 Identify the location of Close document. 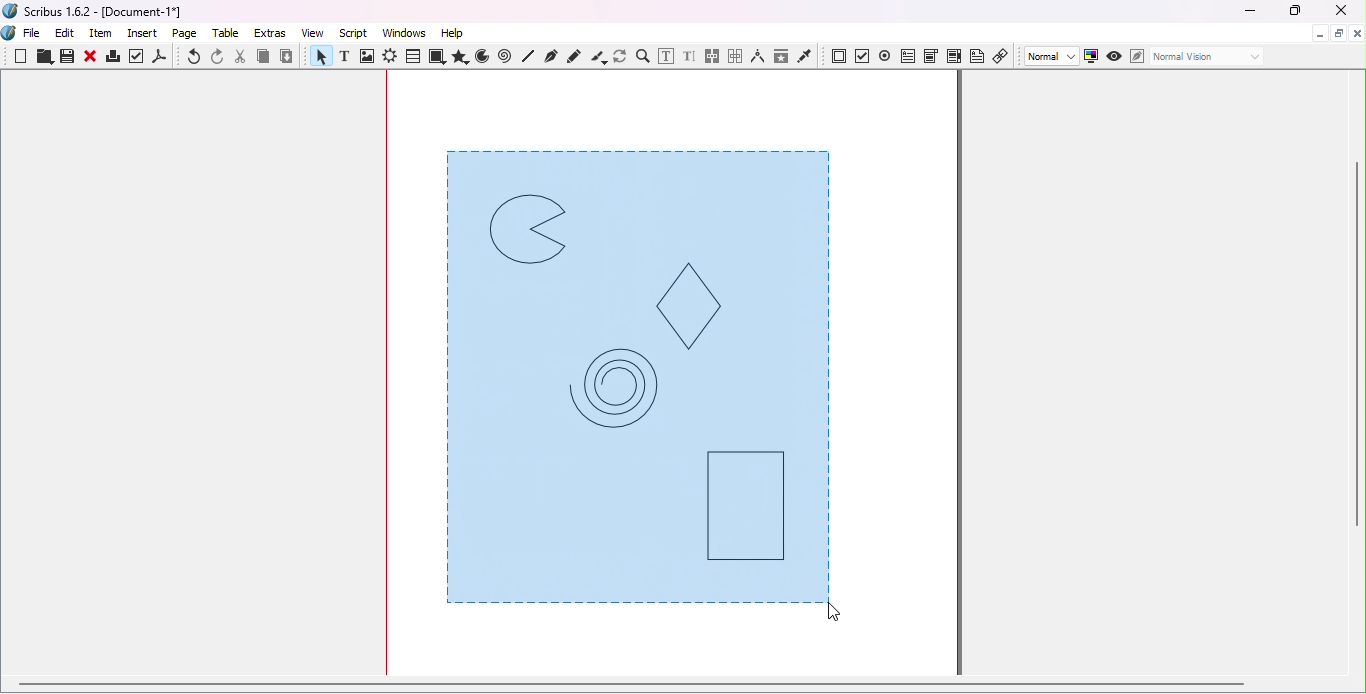
(1357, 34).